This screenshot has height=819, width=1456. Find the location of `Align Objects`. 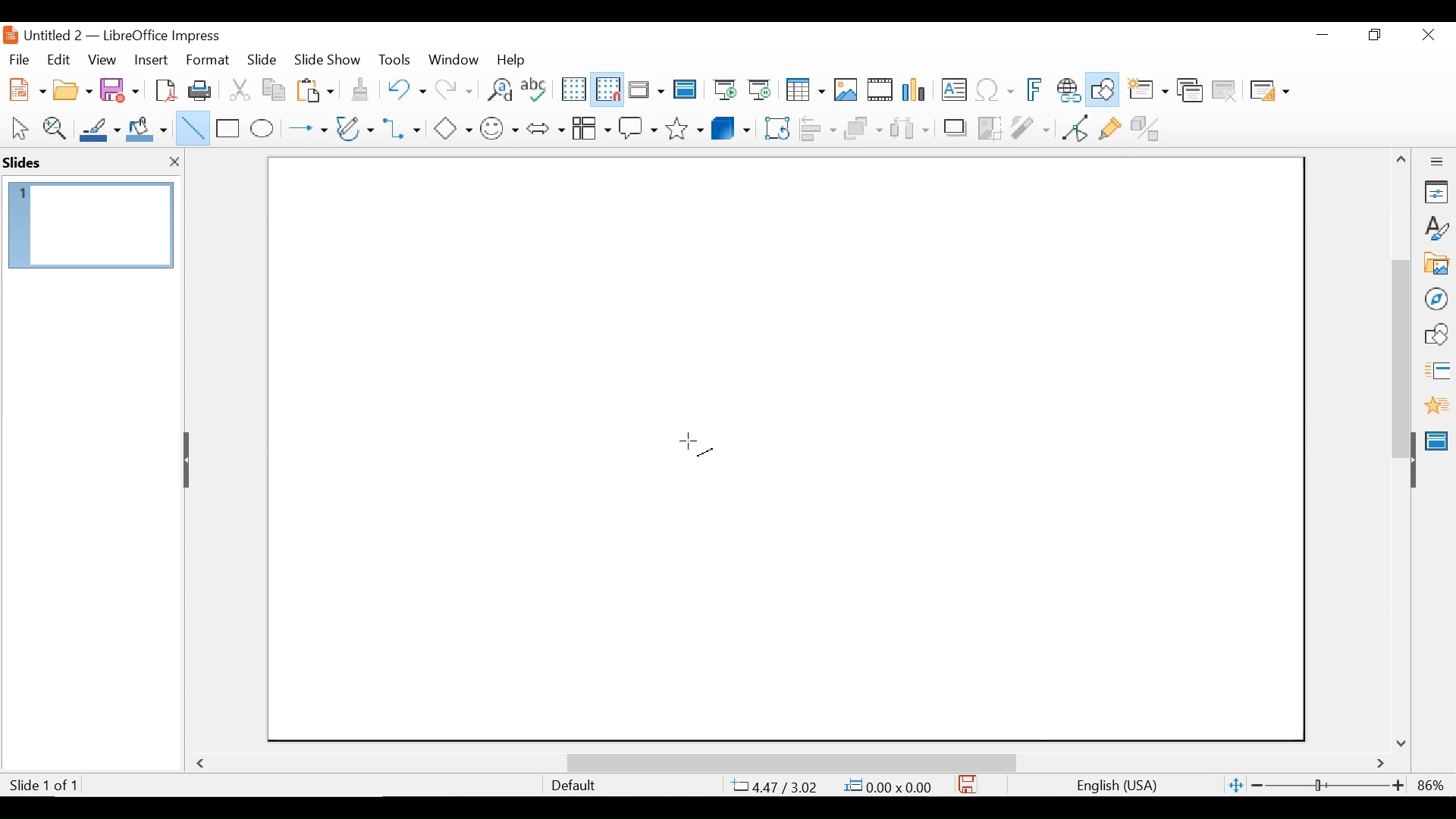

Align Objects is located at coordinates (816, 127).